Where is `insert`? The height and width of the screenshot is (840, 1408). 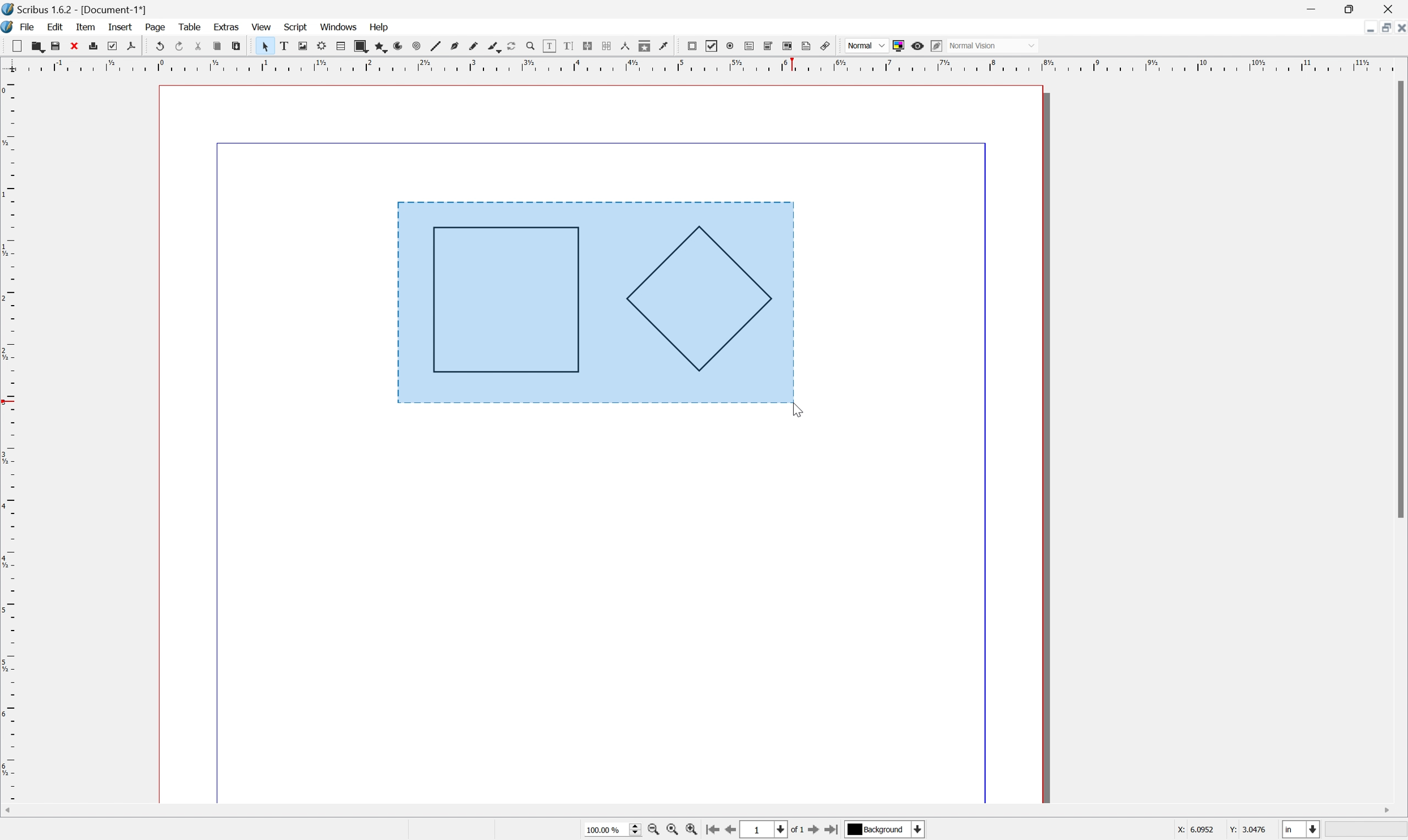 insert is located at coordinates (121, 25).